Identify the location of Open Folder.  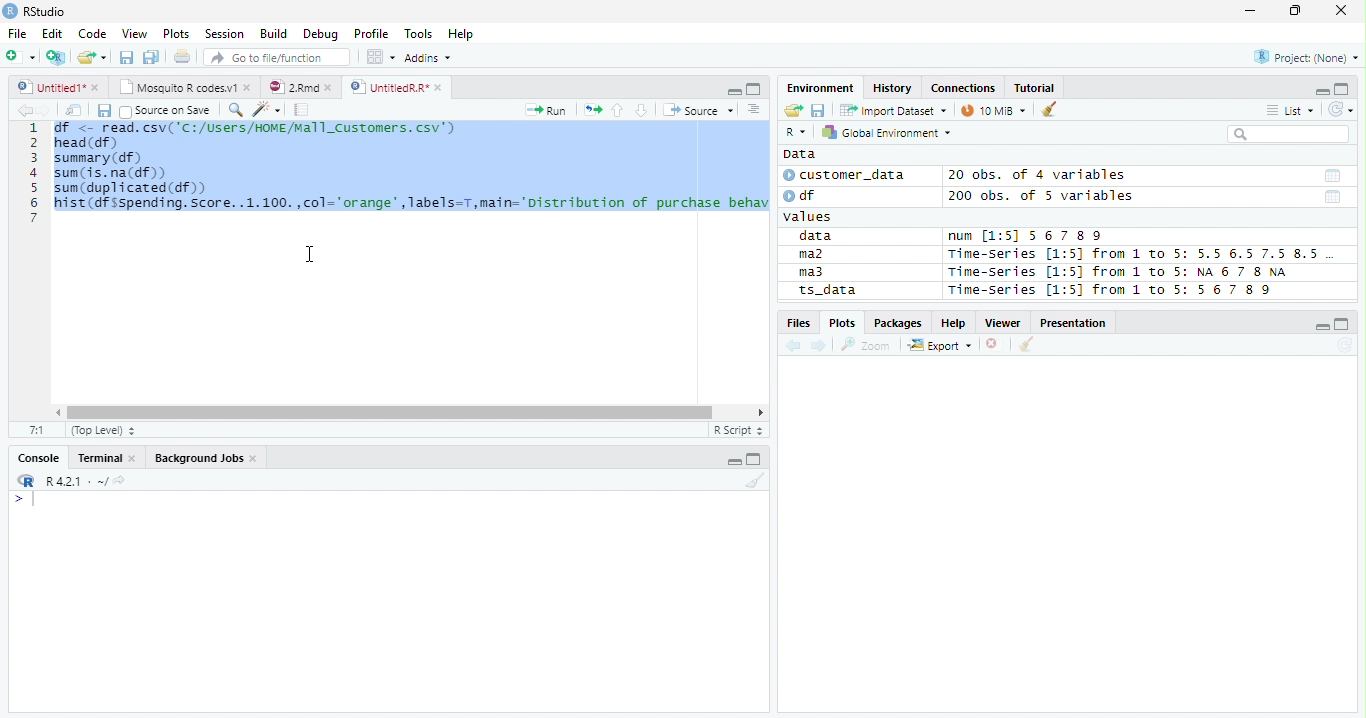
(93, 56).